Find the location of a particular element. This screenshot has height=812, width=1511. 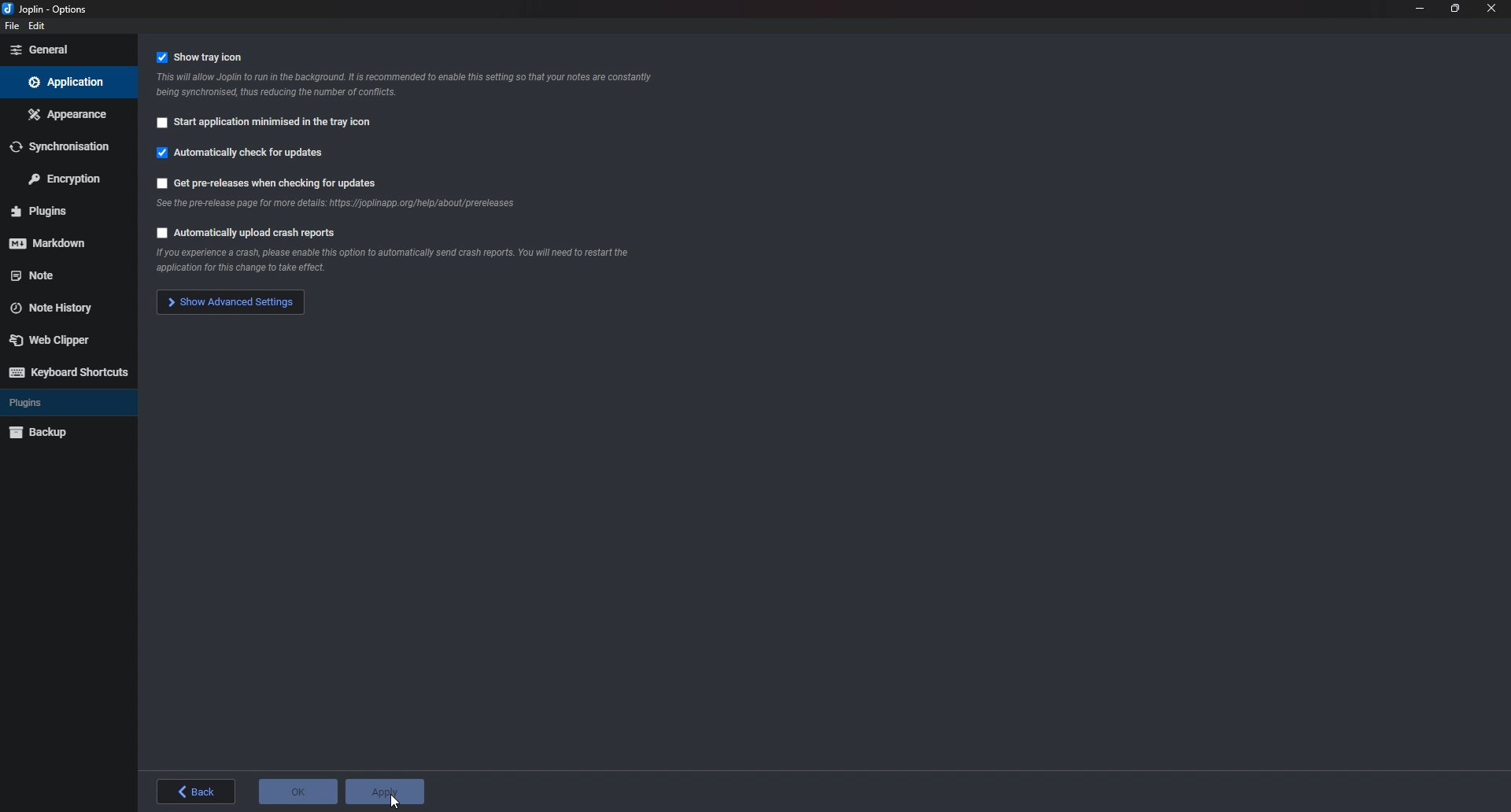

Synchronization is located at coordinates (67, 144).